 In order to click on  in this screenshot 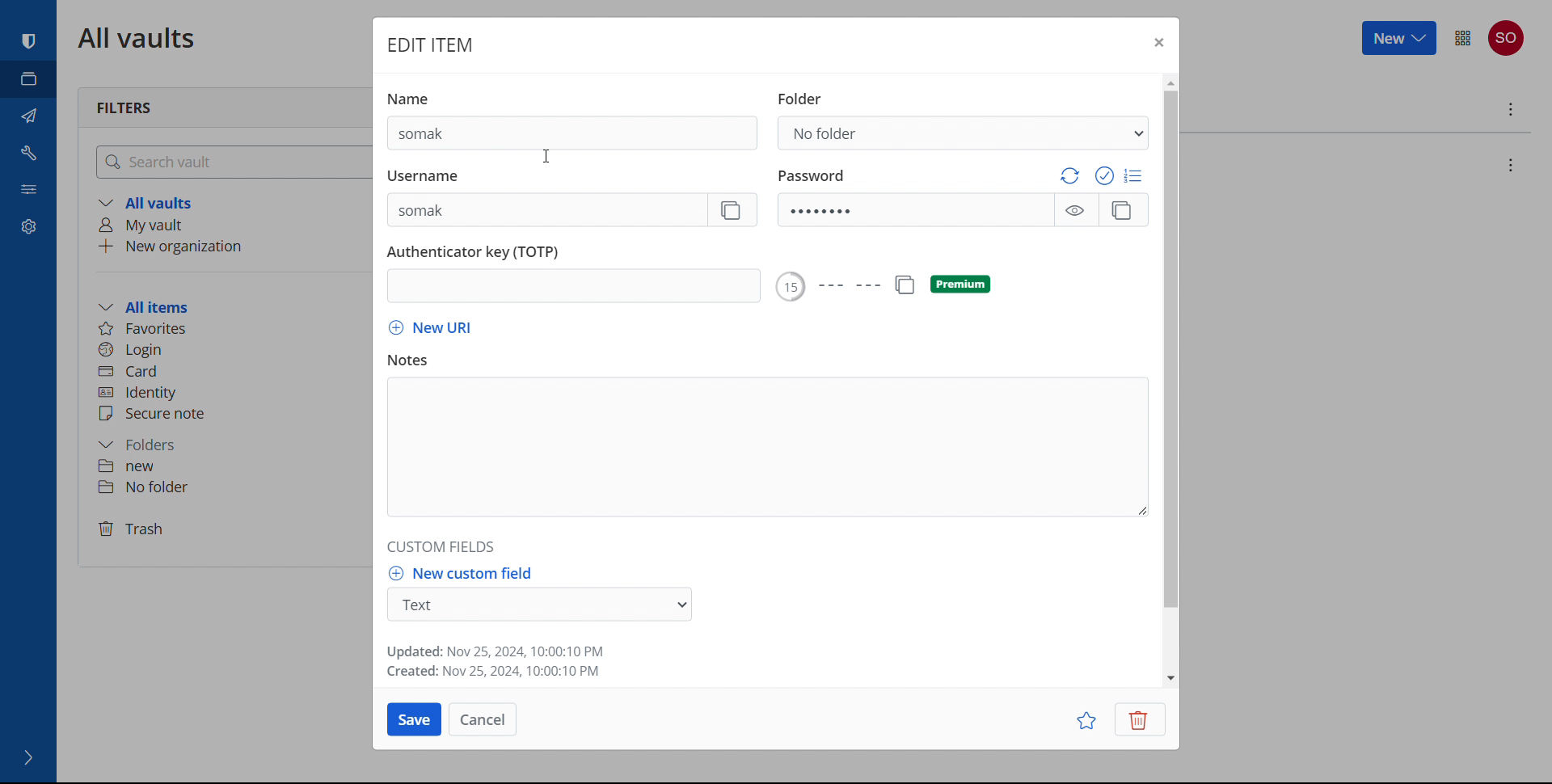, I will do `click(826, 287)`.